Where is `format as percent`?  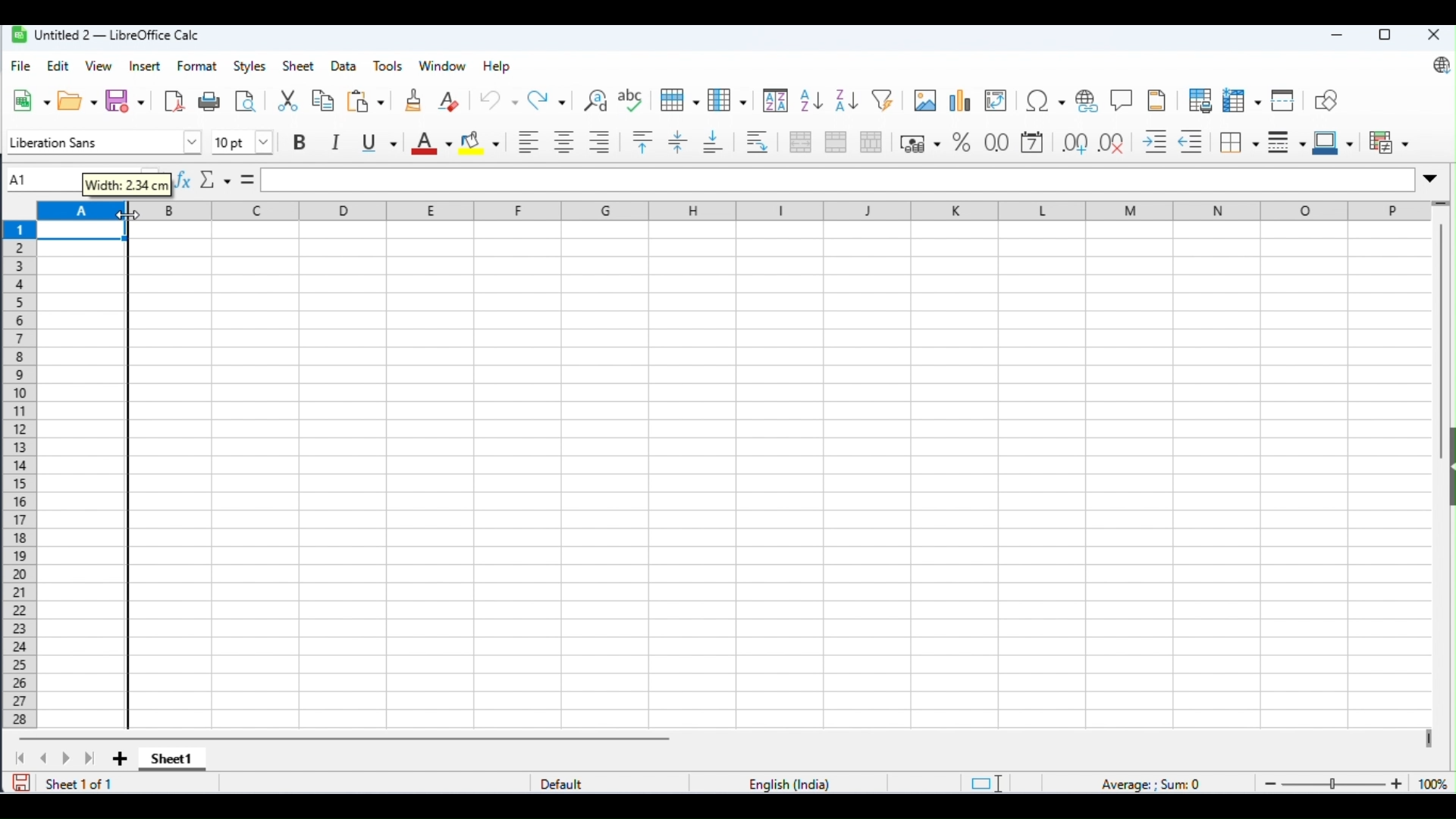 format as percent is located at coordinates (919, 143).